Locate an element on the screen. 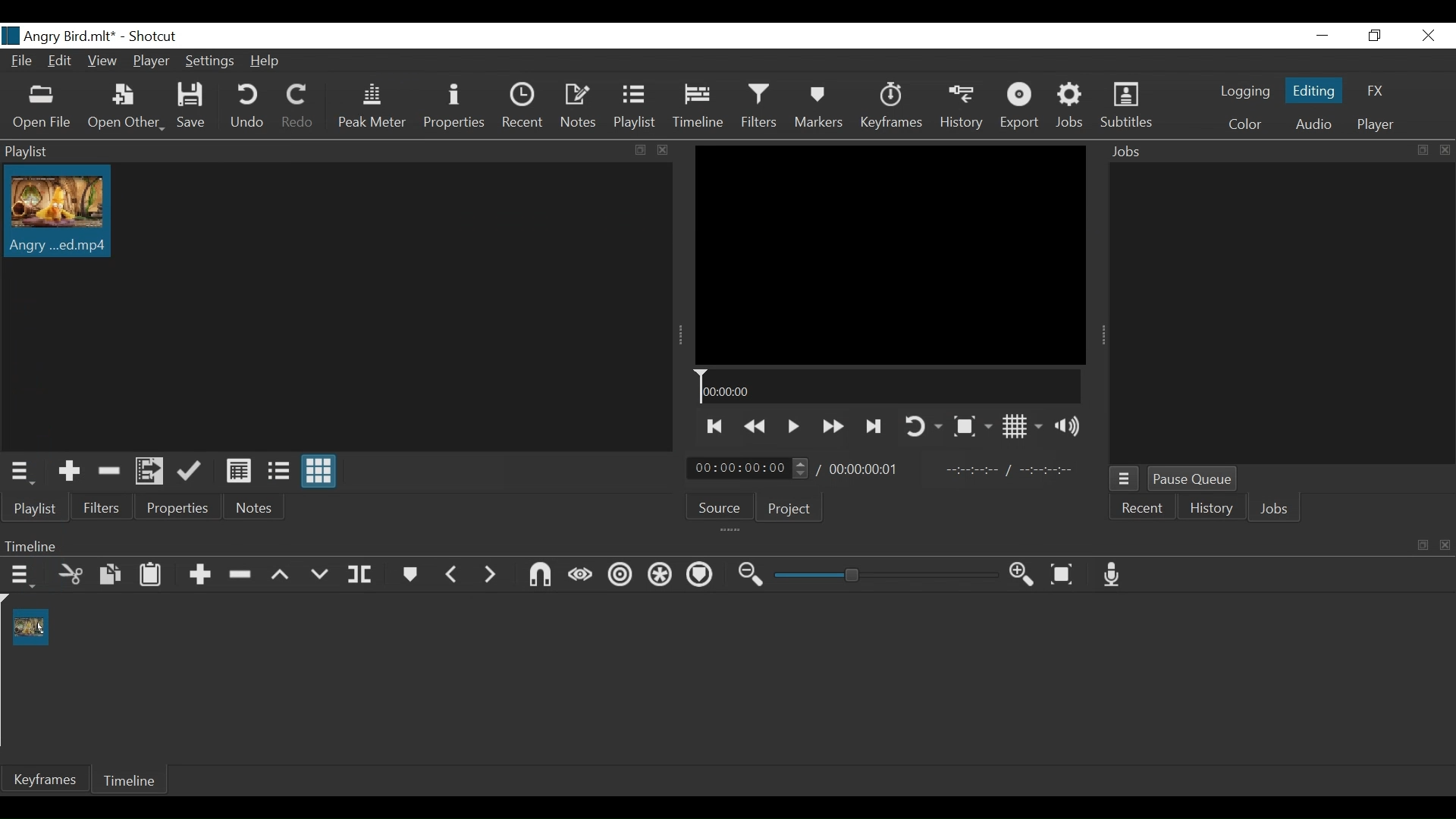  Project is located at coordinates (789, 509).